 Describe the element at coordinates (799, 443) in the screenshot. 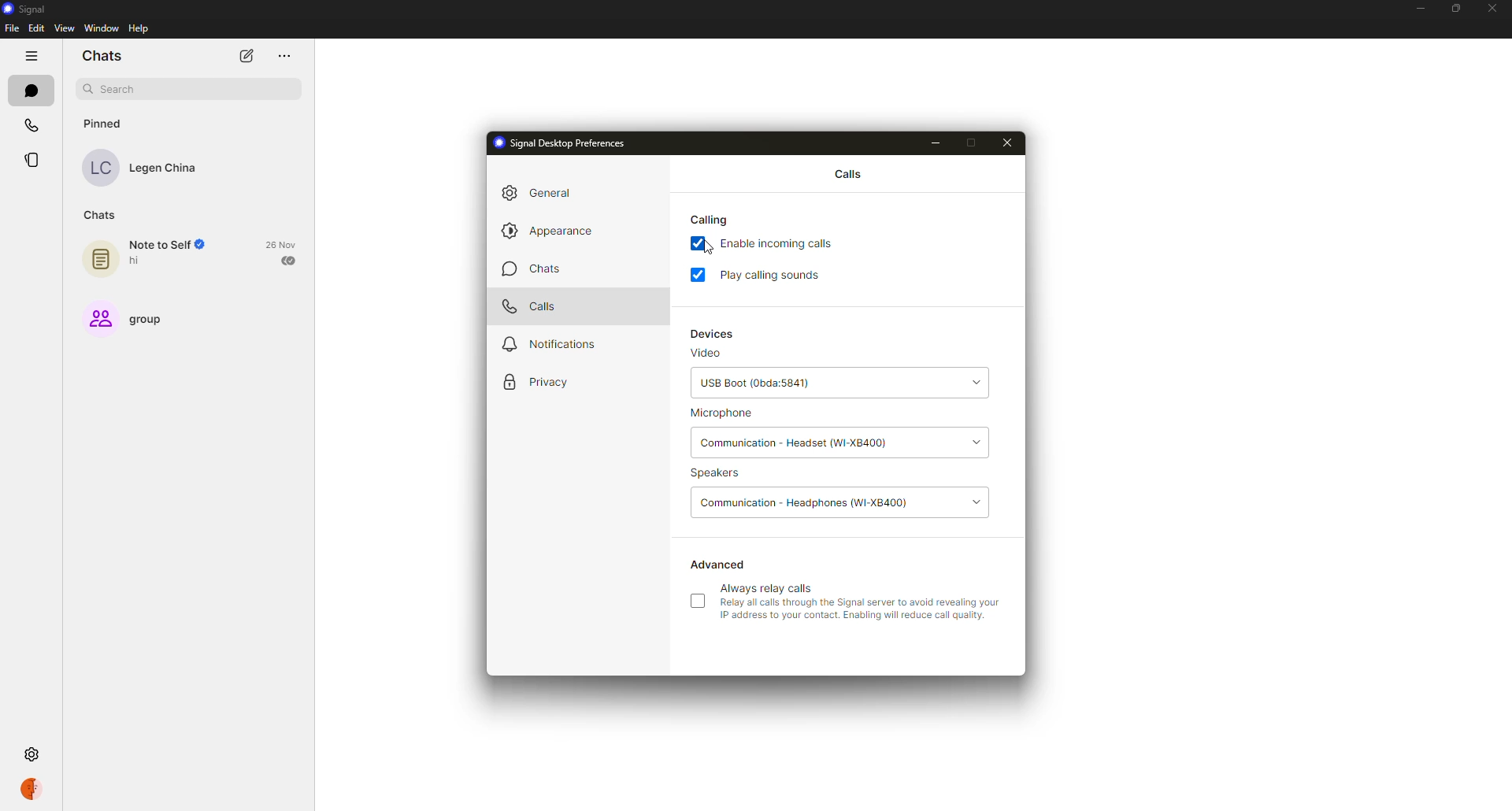

I see `headset` at that location.